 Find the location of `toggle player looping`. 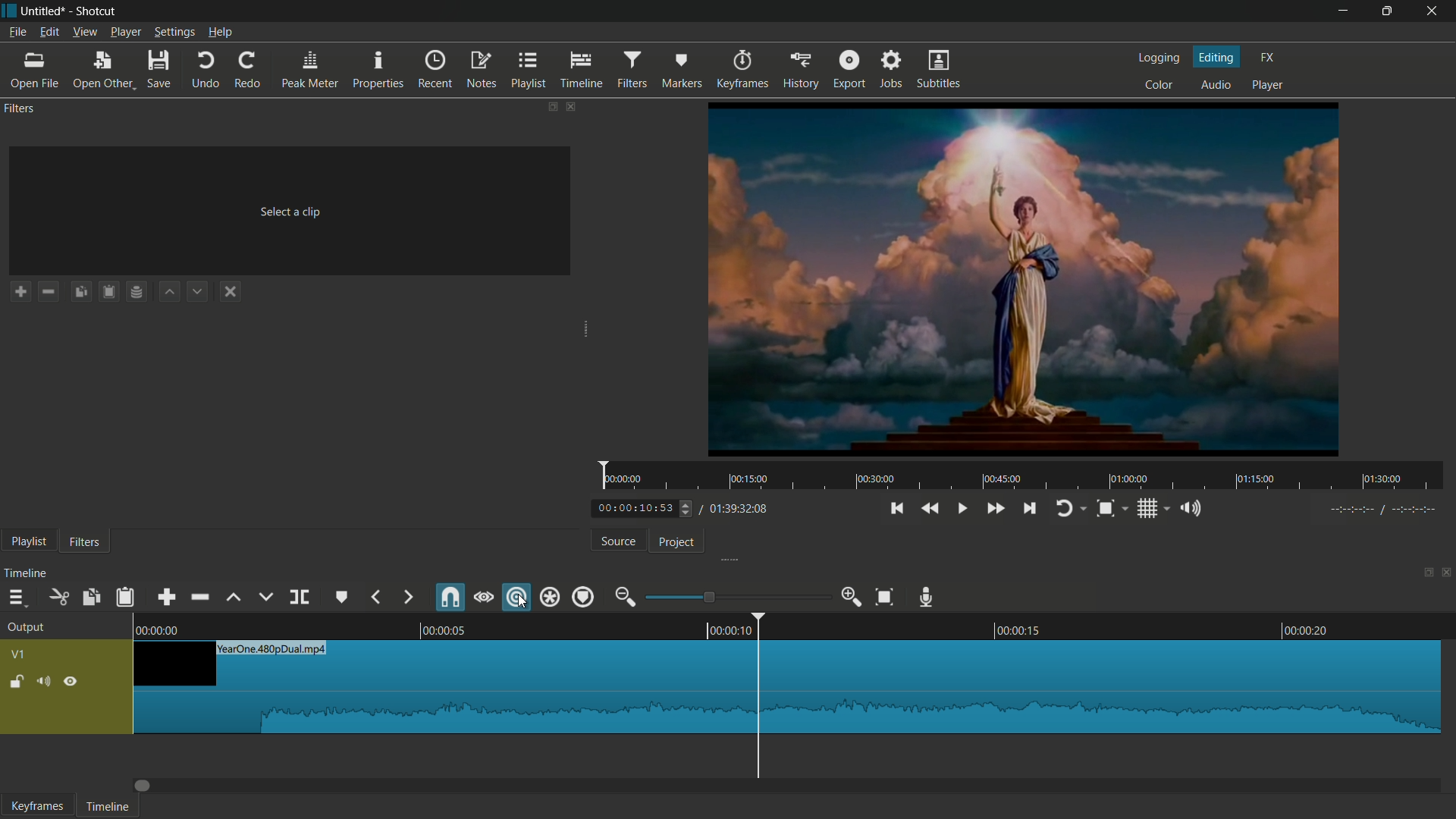

toggle player looping is located at coordinates (1064, 510).